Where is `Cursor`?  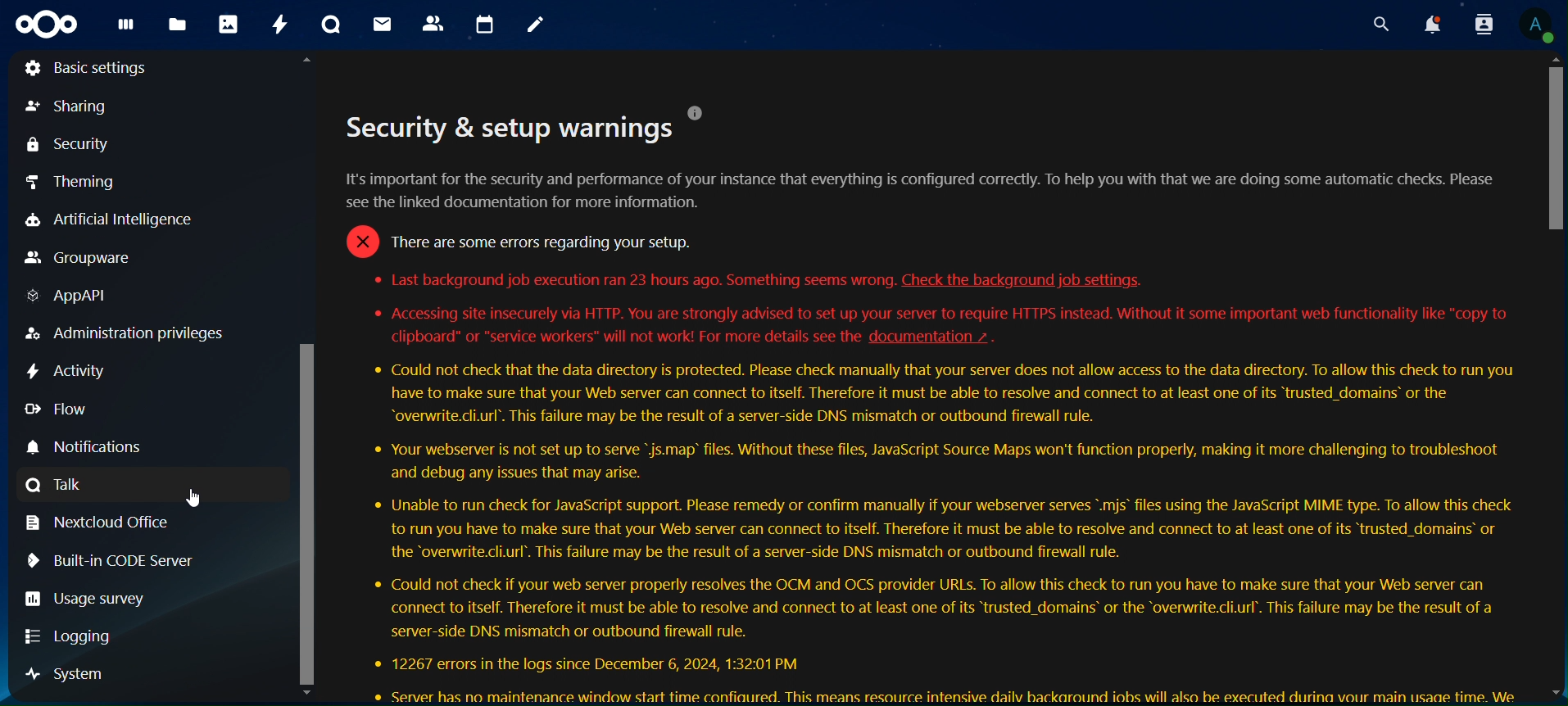 Cursor is located at coordinates (197, 500).